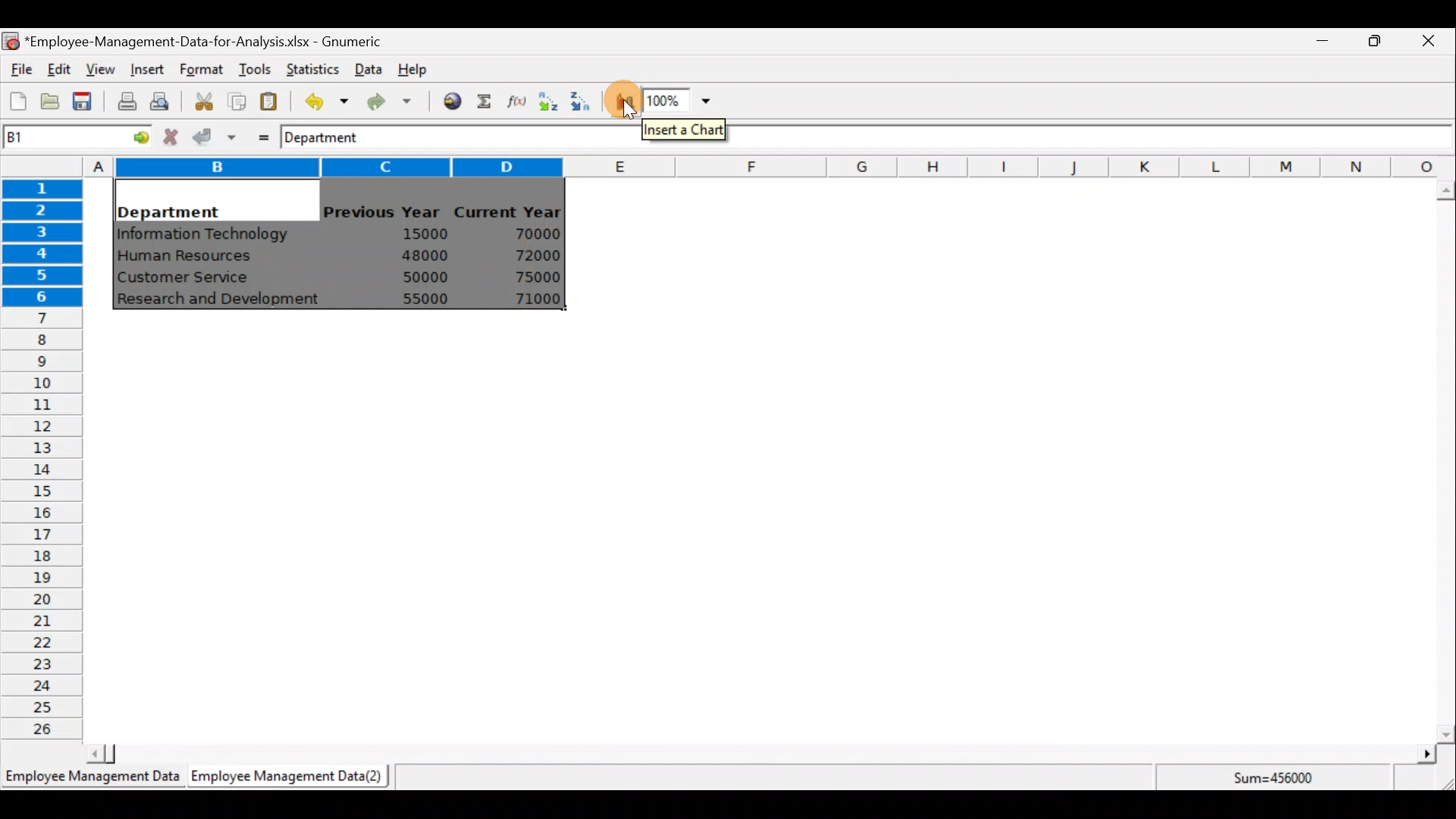  Describe the element at coordinates (429, 277) in the screenshot. I see `50000` at that location.